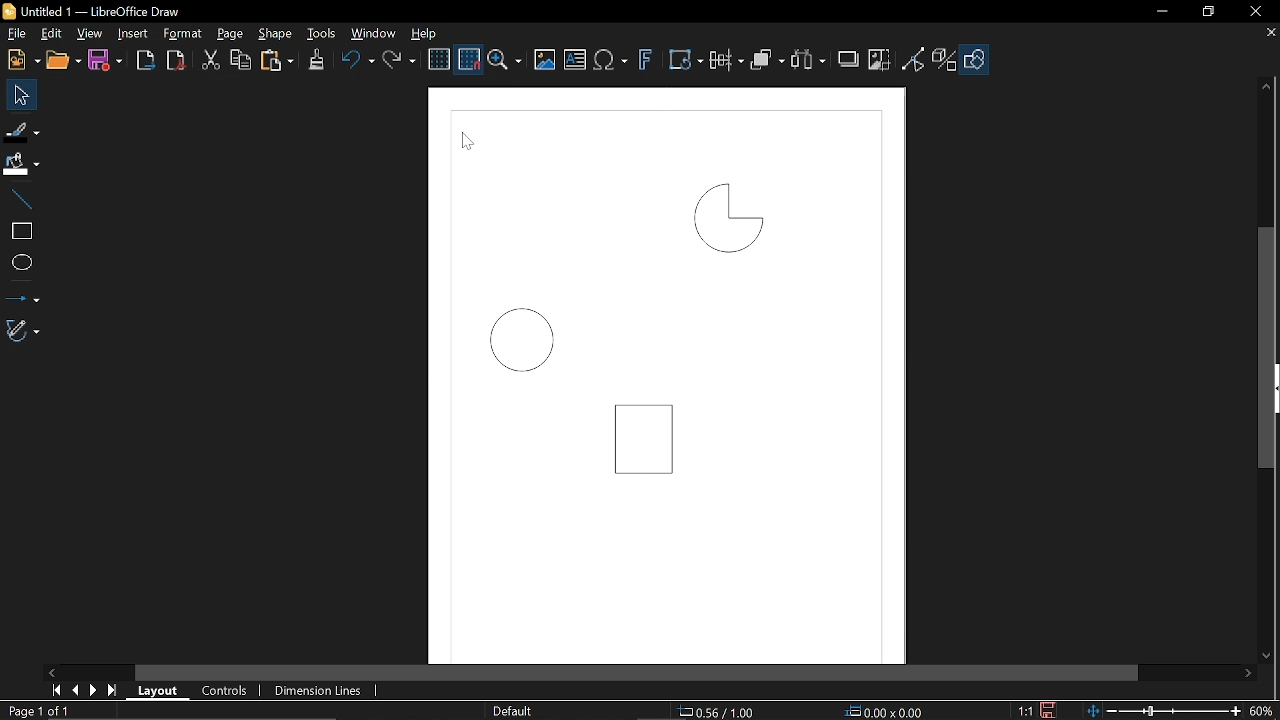 Image resolution: width=1280 pixels, height=720 pixels. I want to click on LibreOffice Logo, so click(10, 12).